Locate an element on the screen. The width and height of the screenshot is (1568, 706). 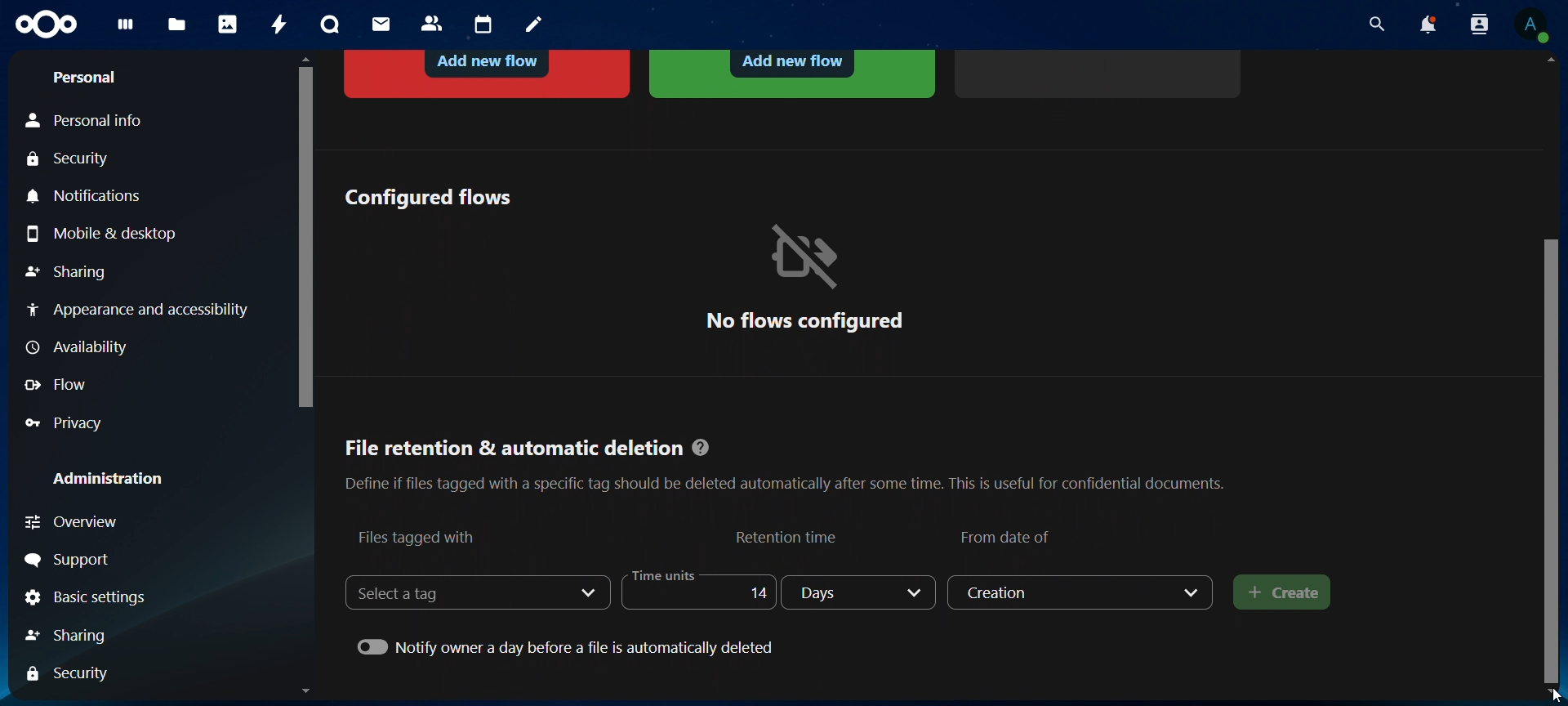
notes is located at coordinates (537, 25).